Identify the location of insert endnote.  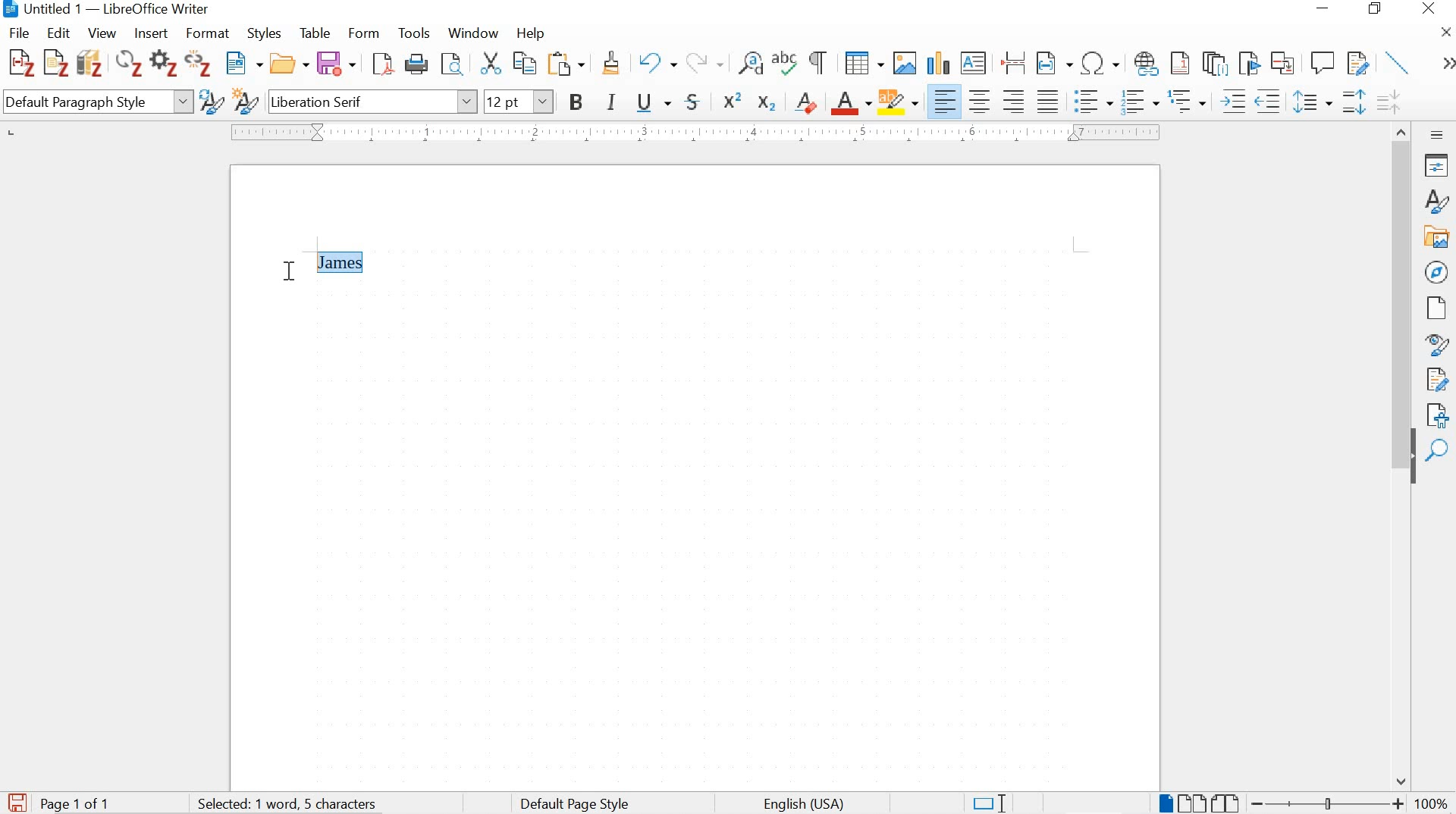
(1180, 64).